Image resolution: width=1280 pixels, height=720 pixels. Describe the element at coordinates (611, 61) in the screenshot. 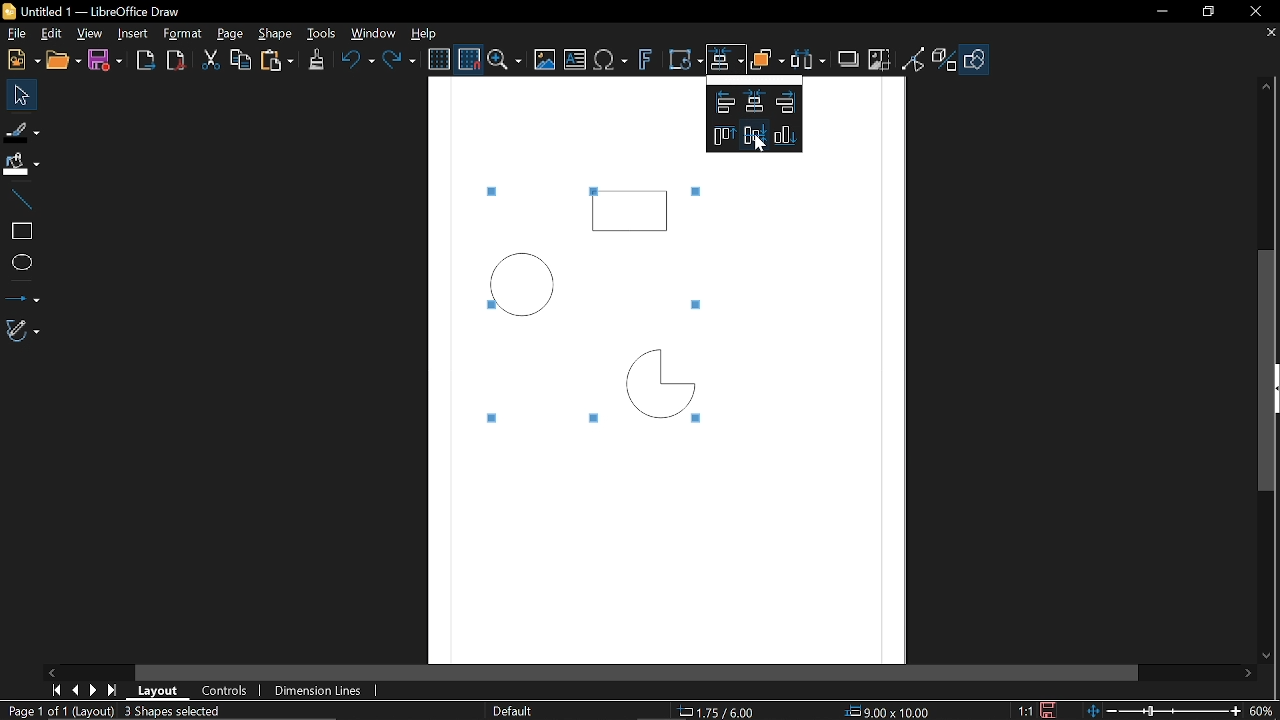

I see `Insert text` at that location.